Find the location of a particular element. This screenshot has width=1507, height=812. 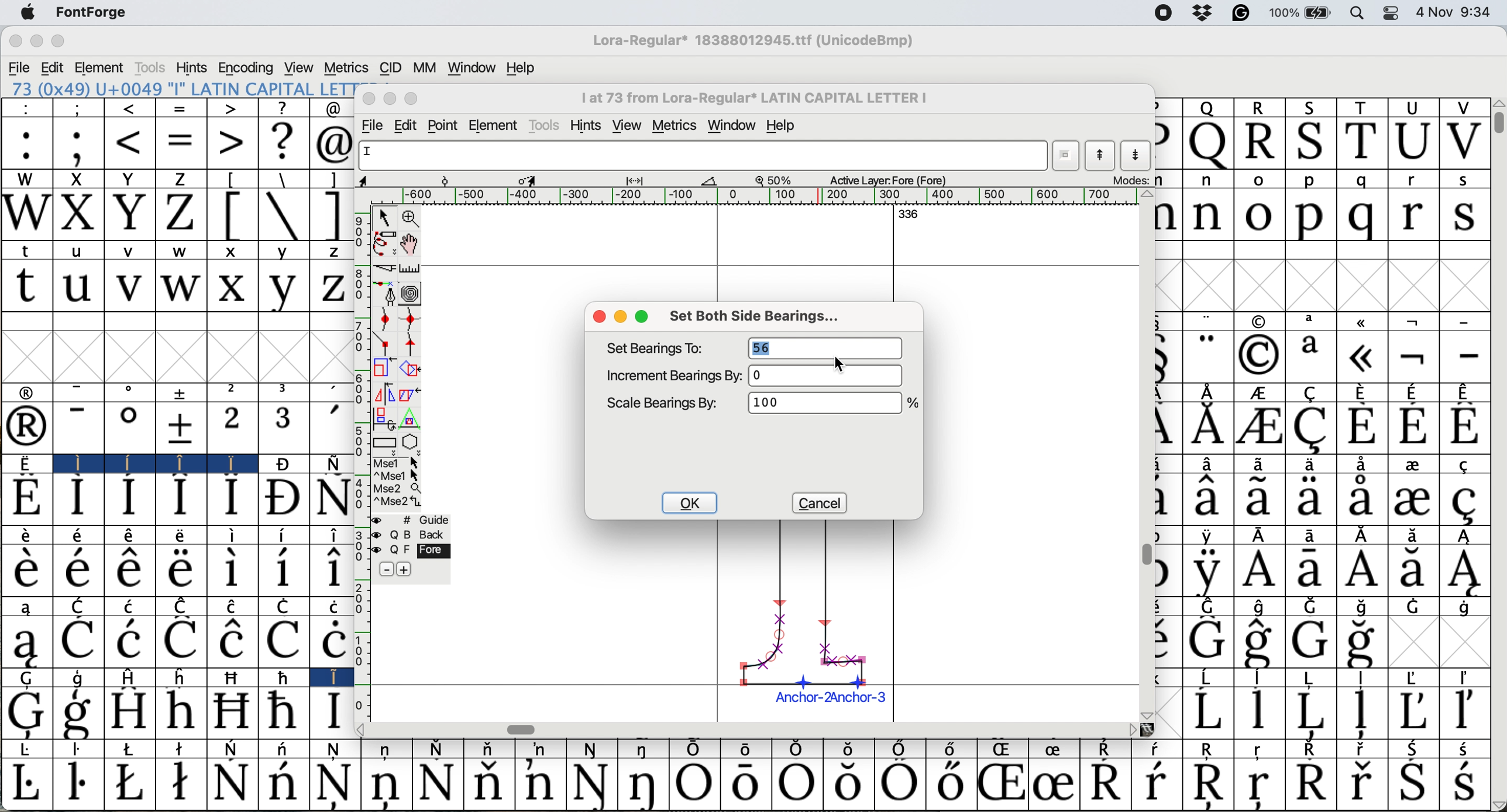

Symbol is located at coordinates (1055, 783).